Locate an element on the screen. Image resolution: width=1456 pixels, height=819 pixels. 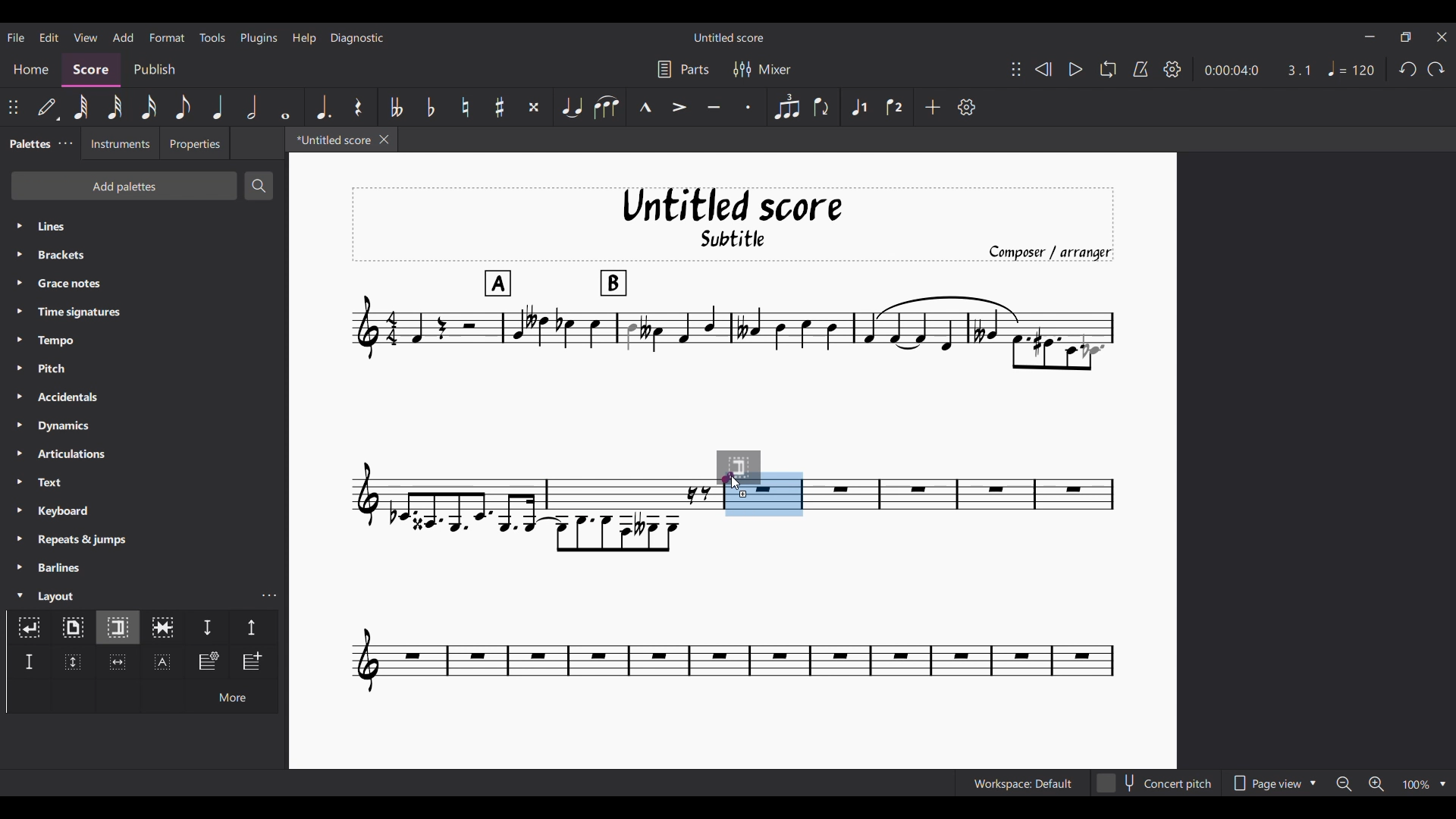
Section break, highlighted as current selection is located at coordinates (117, 628).